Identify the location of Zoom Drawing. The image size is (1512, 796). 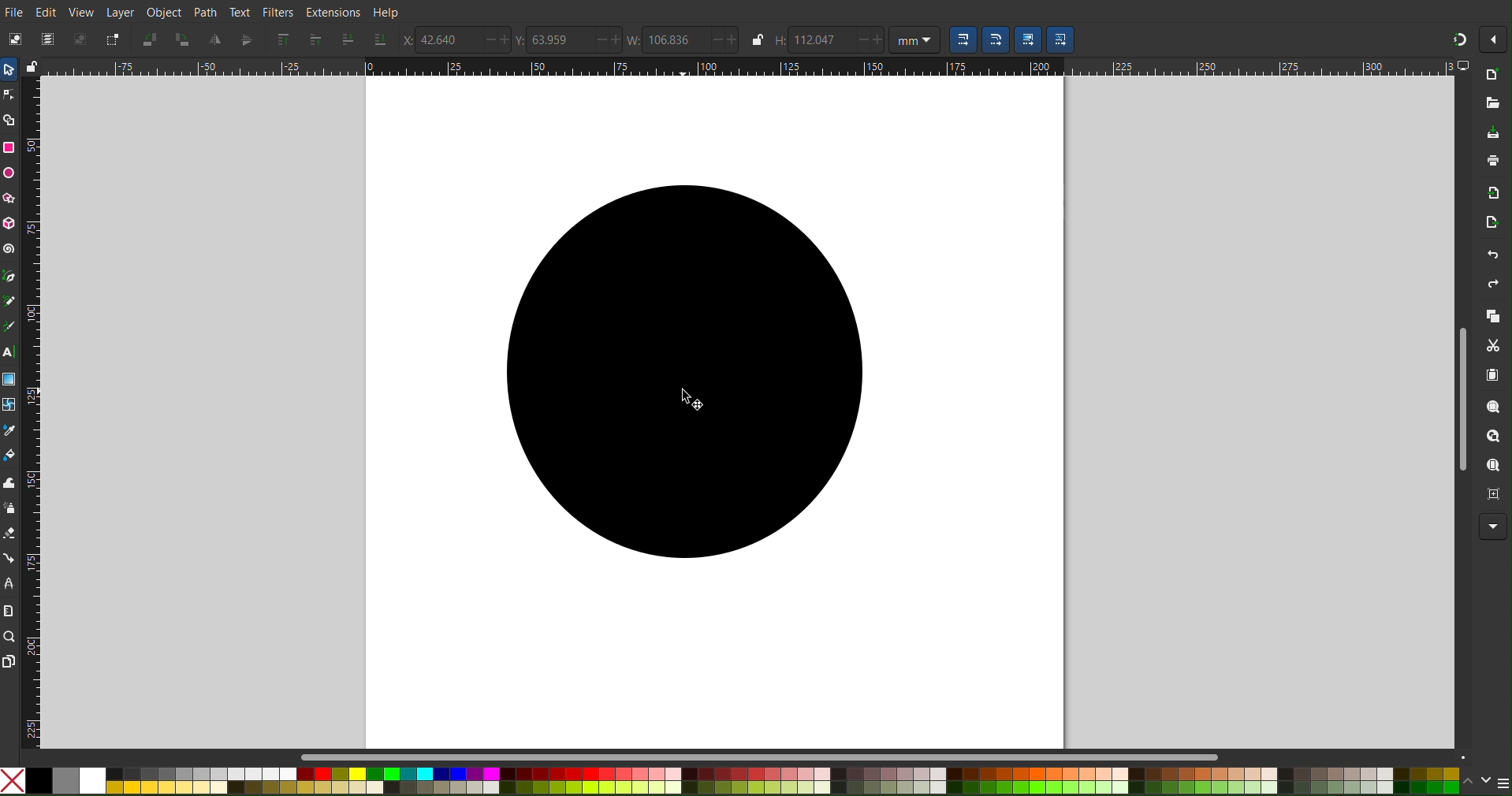
(1493, 437).